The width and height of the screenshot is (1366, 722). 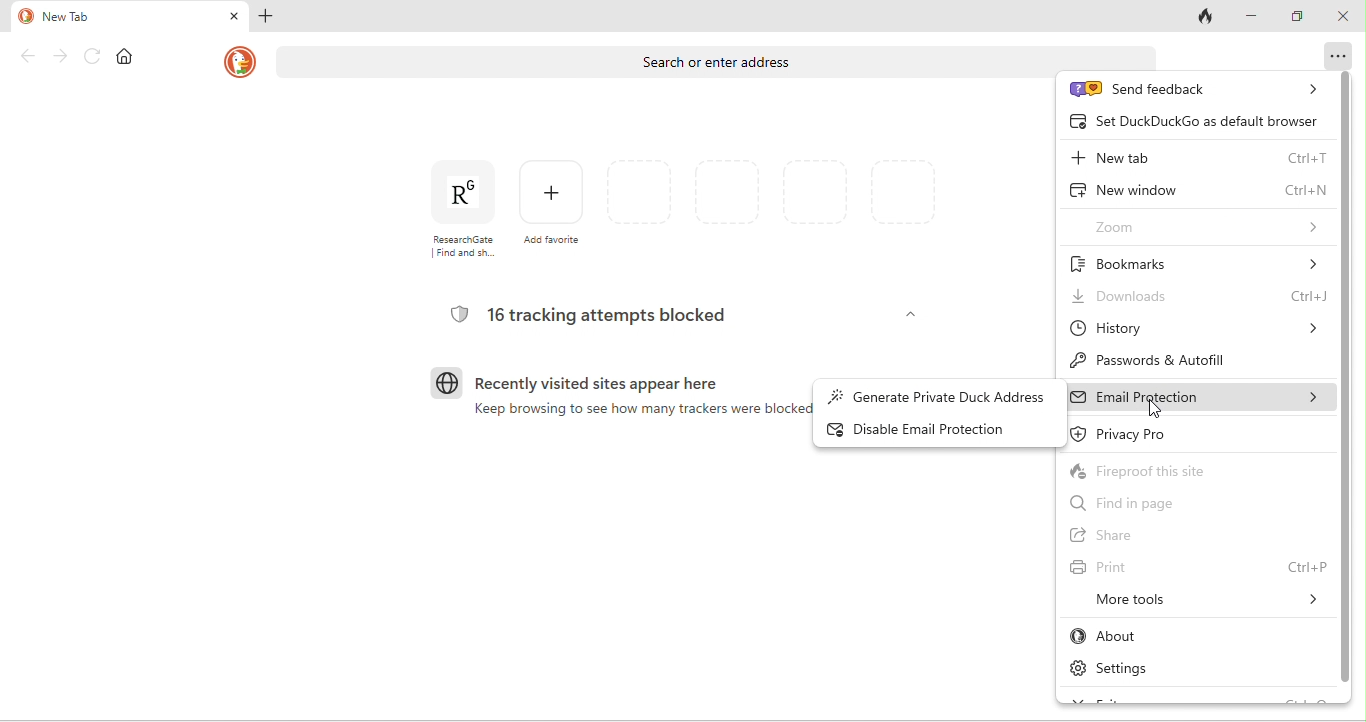 I want to click on recently visited sites appear here keep browsing to see how many trackers were blocked, so click(x=610, y=402).